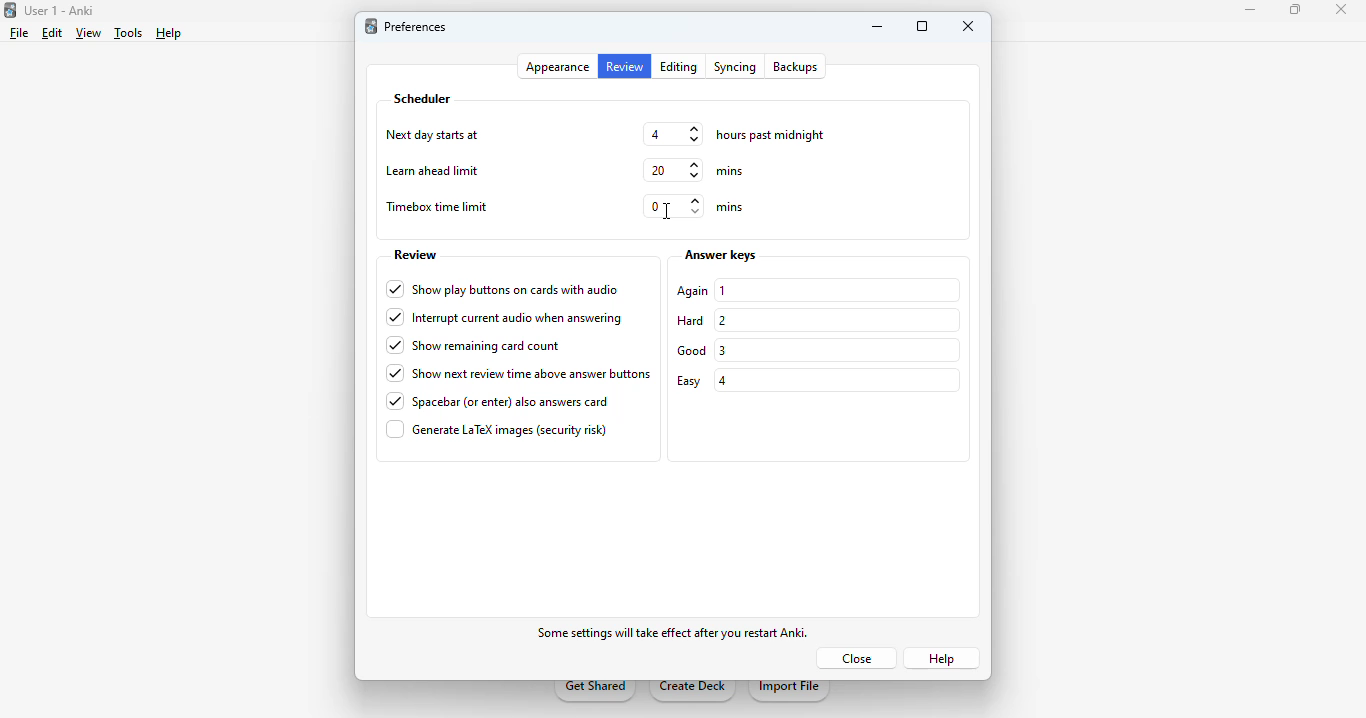 This screenshot has height=718, width=1366. Describe the element at coordinates (9, 10) in the screenshot. I see `logo` at that location.